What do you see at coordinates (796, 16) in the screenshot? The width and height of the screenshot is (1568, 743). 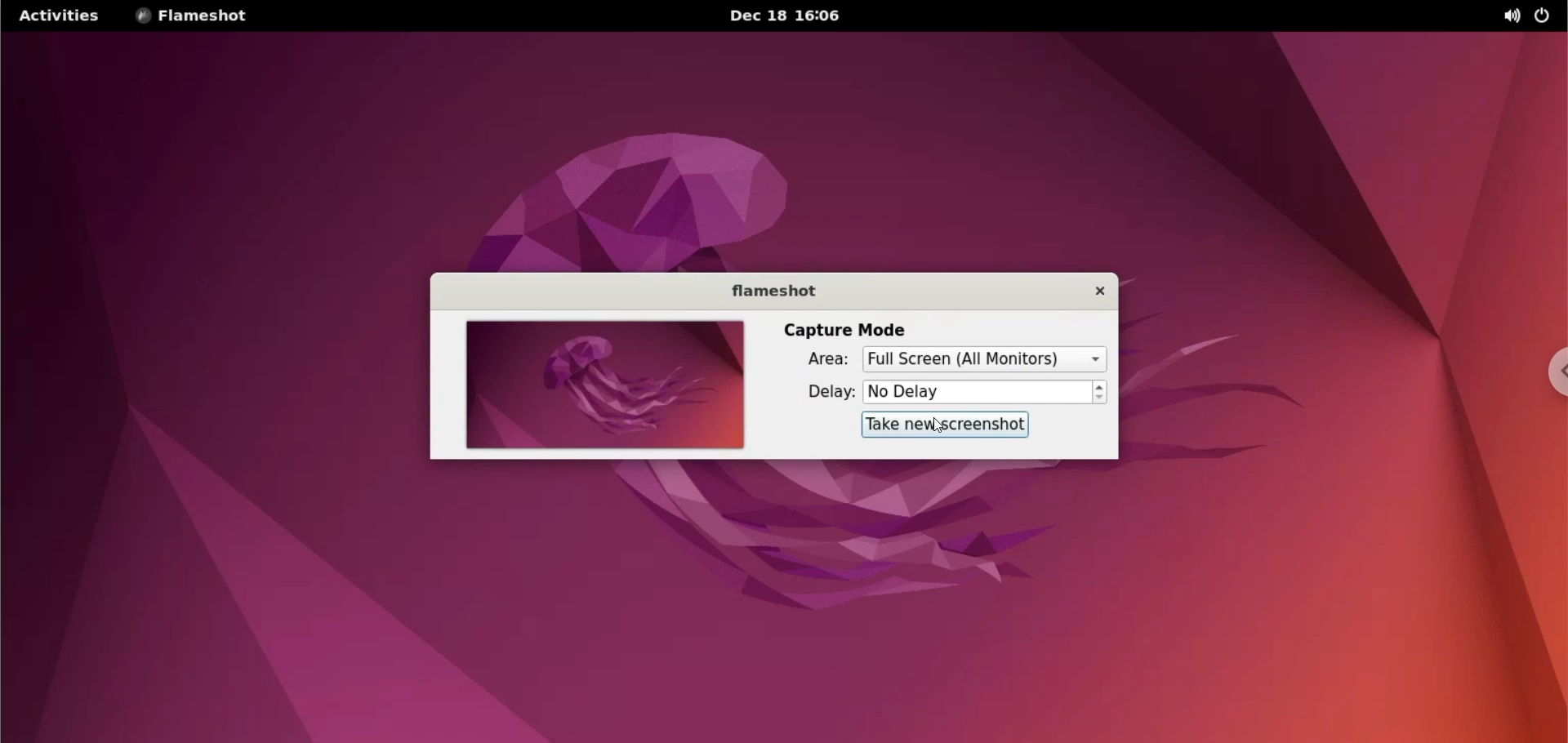 I see `date and time` at bounding box center [796, 16].